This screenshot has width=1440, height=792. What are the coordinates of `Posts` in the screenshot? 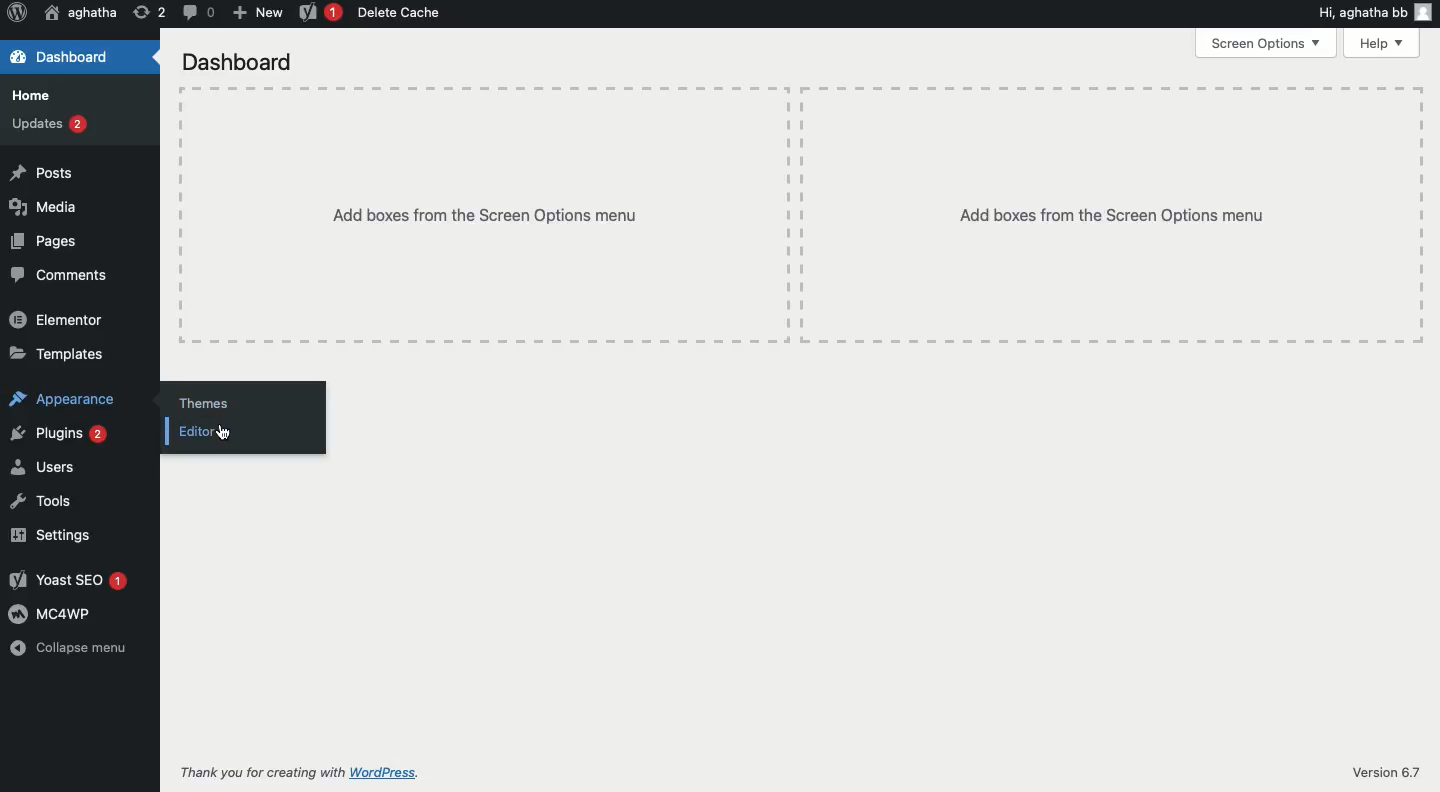 It's located at (44, 170).